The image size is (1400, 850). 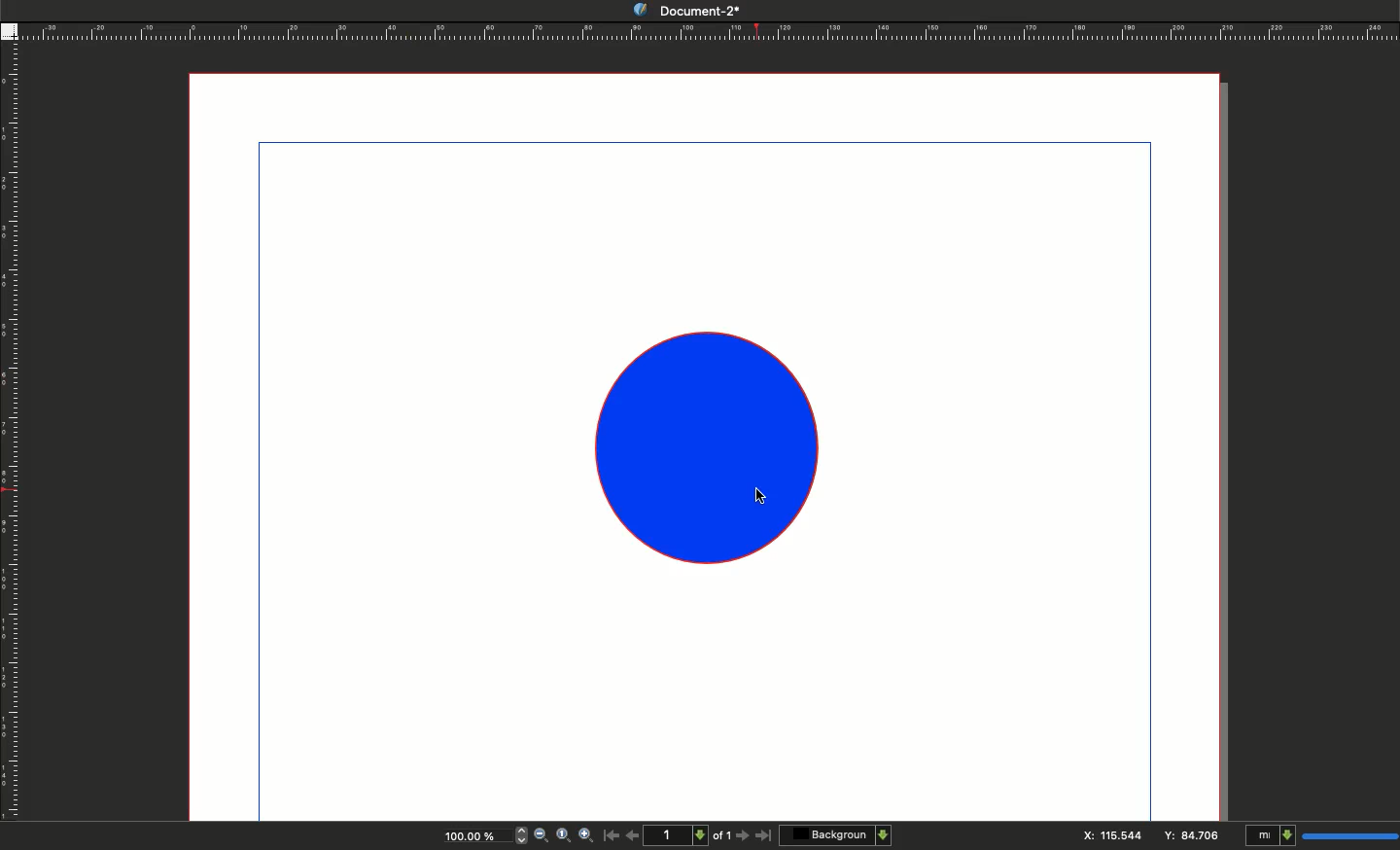 What do you see at coordinates (633, 834) in the screenshot?
I see `Previous page` at bounding box center [633, 834].